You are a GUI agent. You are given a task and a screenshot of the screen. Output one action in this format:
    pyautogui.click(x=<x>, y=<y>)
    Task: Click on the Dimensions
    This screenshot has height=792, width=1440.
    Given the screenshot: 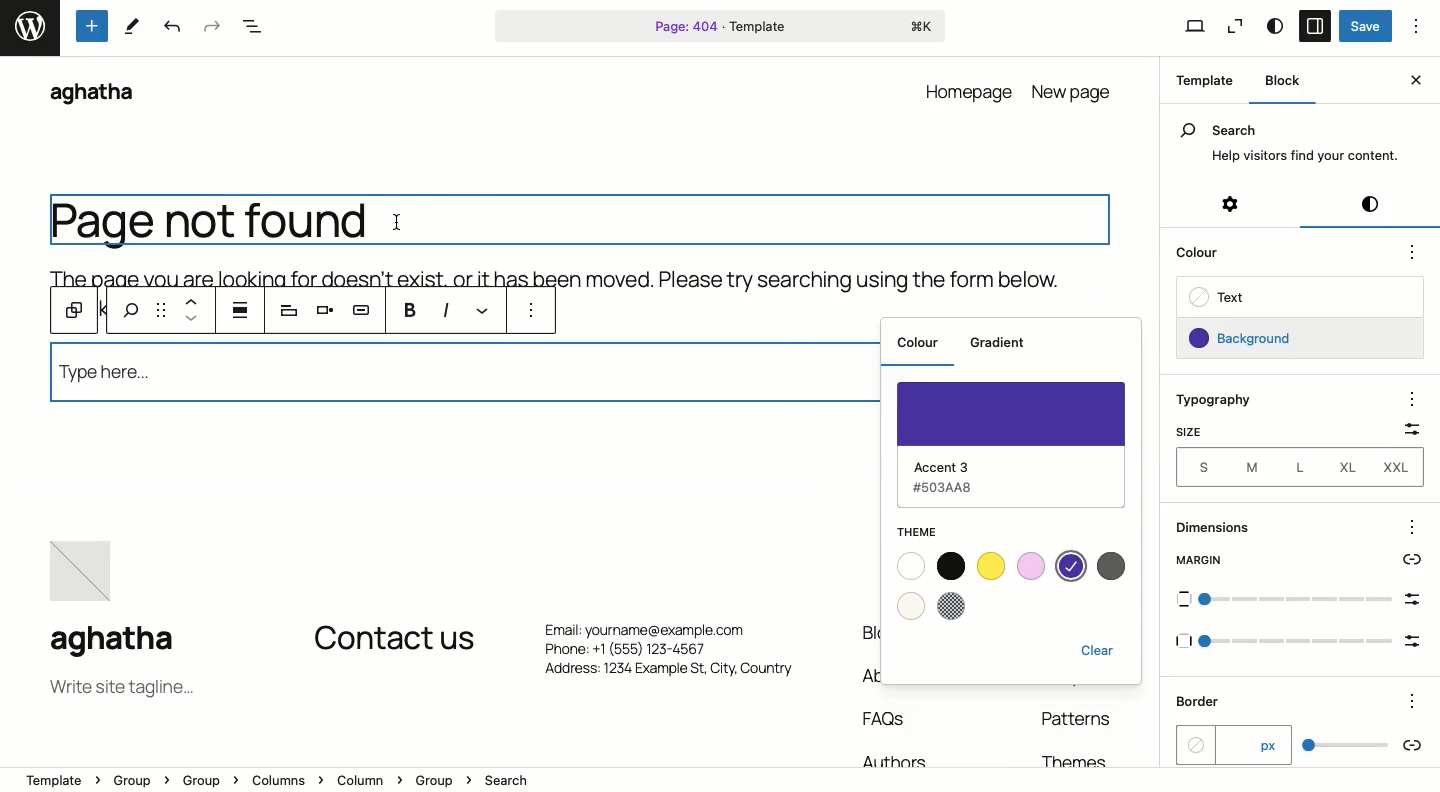 What is the action you would take?
    pyautogui.click(x=1227, y=528)
    